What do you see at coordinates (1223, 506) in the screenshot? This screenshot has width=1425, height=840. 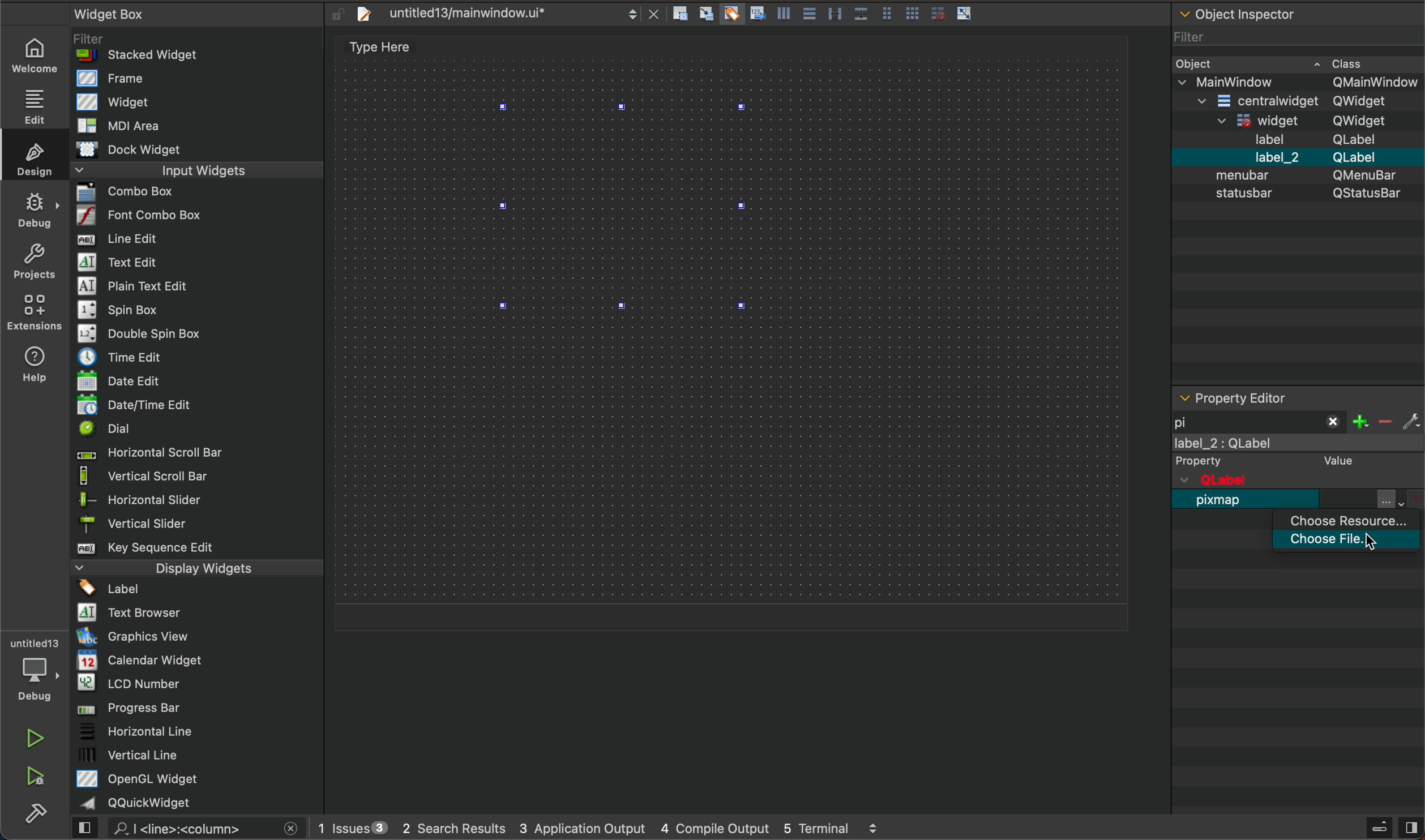 I see `pixmap` at bounding box center [1223, 506].